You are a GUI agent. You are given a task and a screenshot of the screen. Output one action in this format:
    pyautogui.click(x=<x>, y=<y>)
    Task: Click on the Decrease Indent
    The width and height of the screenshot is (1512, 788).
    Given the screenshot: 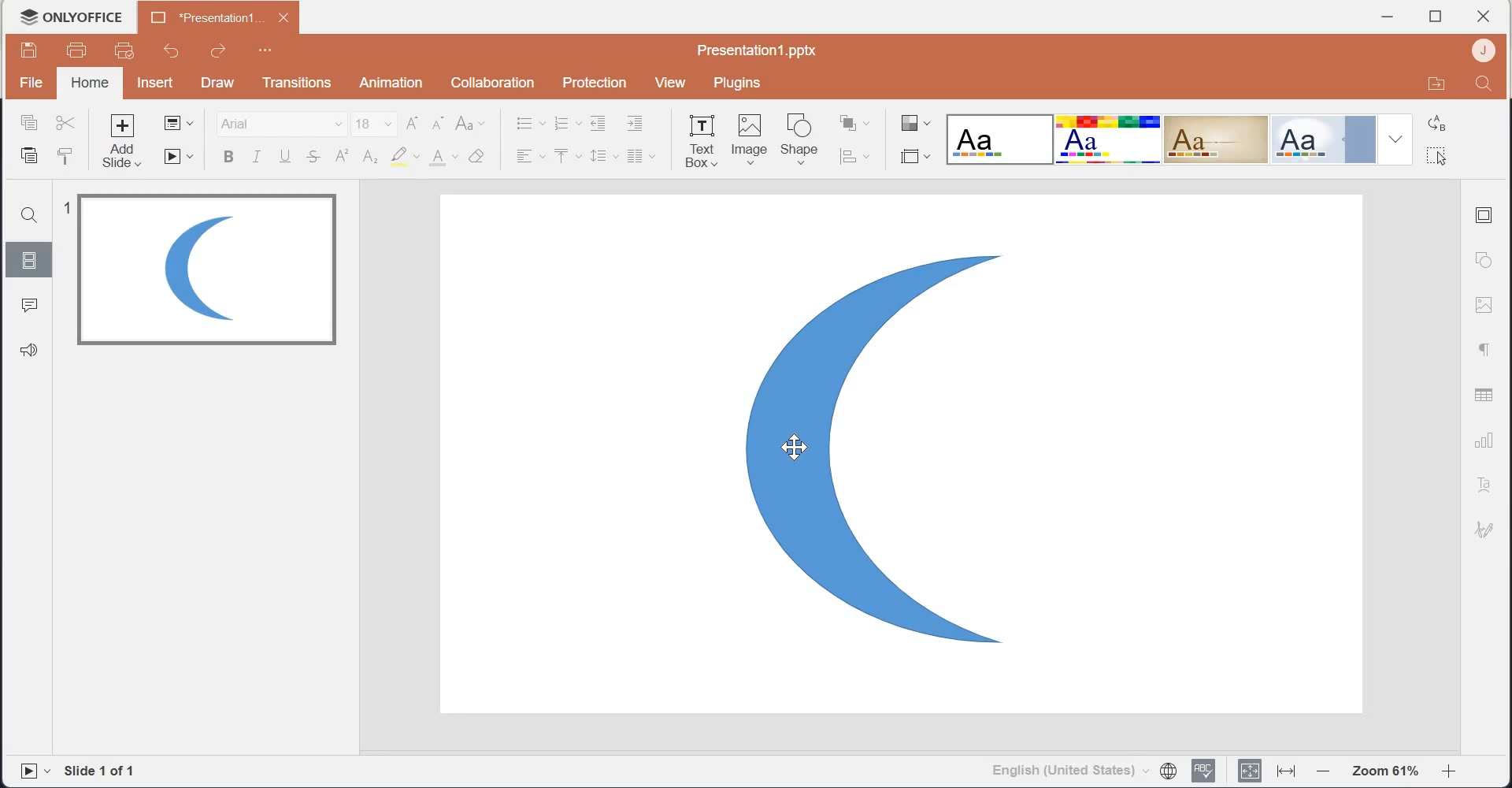 What is the action you would take?
    pyautogui.click(x=600, y=123)
    